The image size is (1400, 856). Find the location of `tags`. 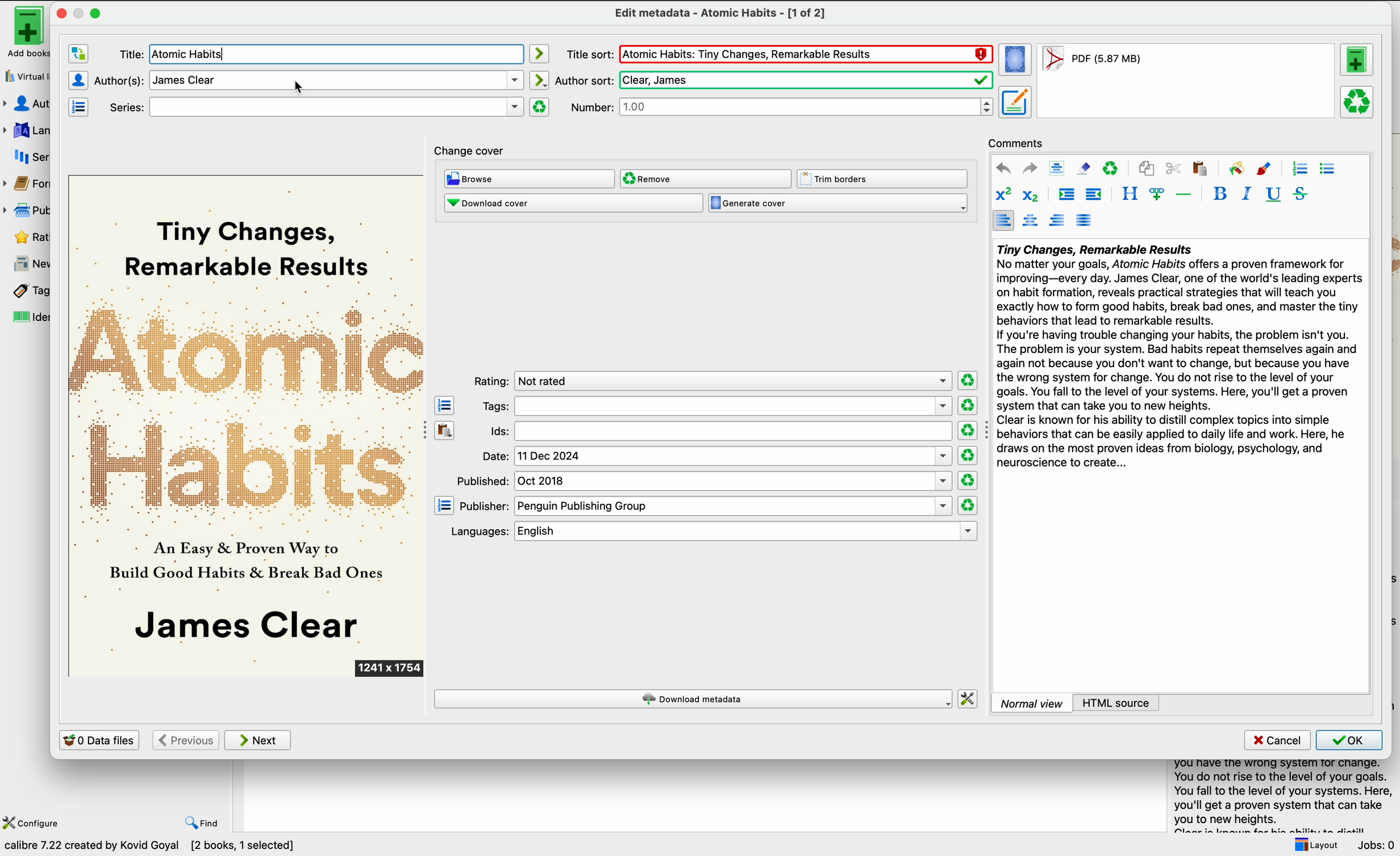

tags is located at coordinates (715, 406).